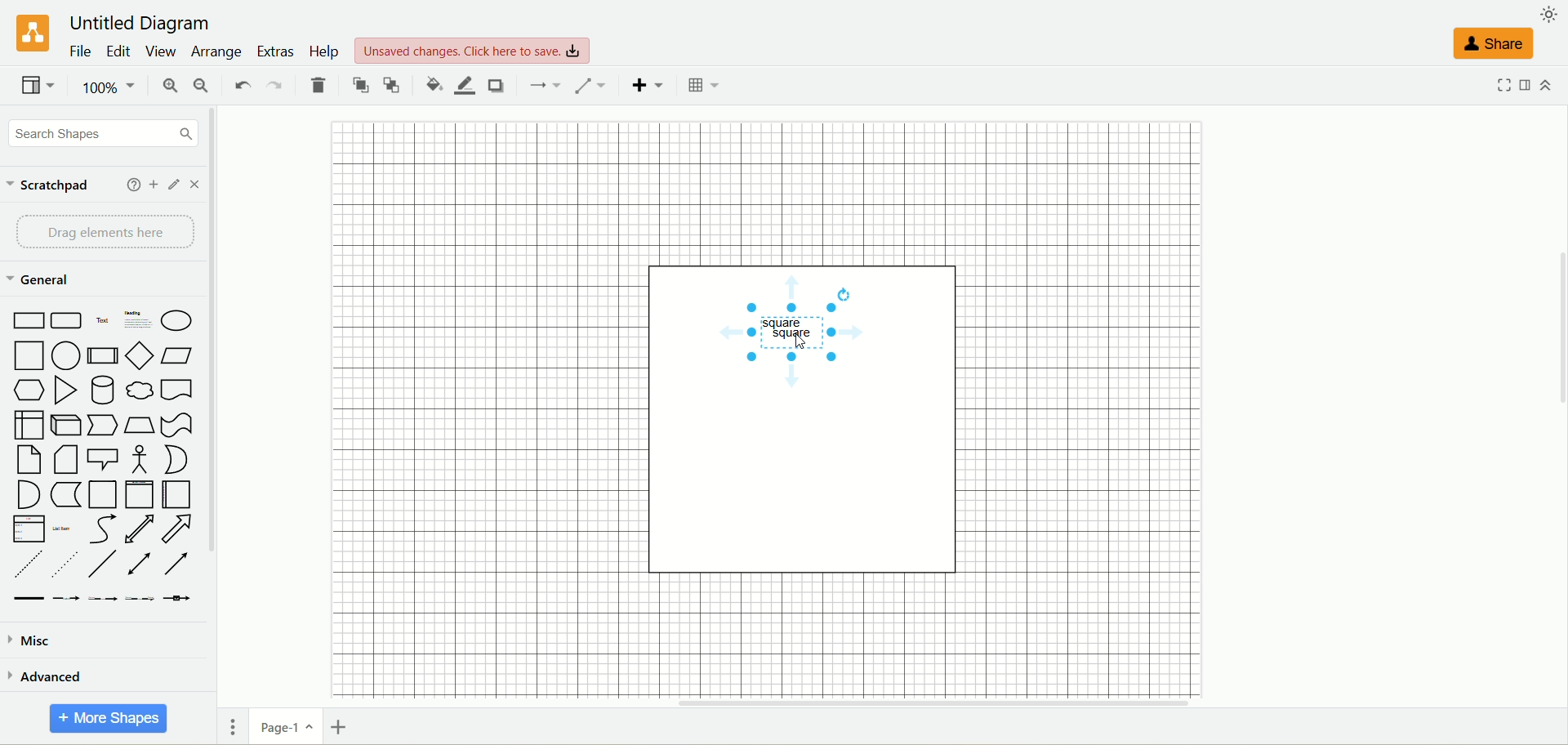  Describe the element at coordinates (199, 186) in the screenshot. I see `close` at that location.